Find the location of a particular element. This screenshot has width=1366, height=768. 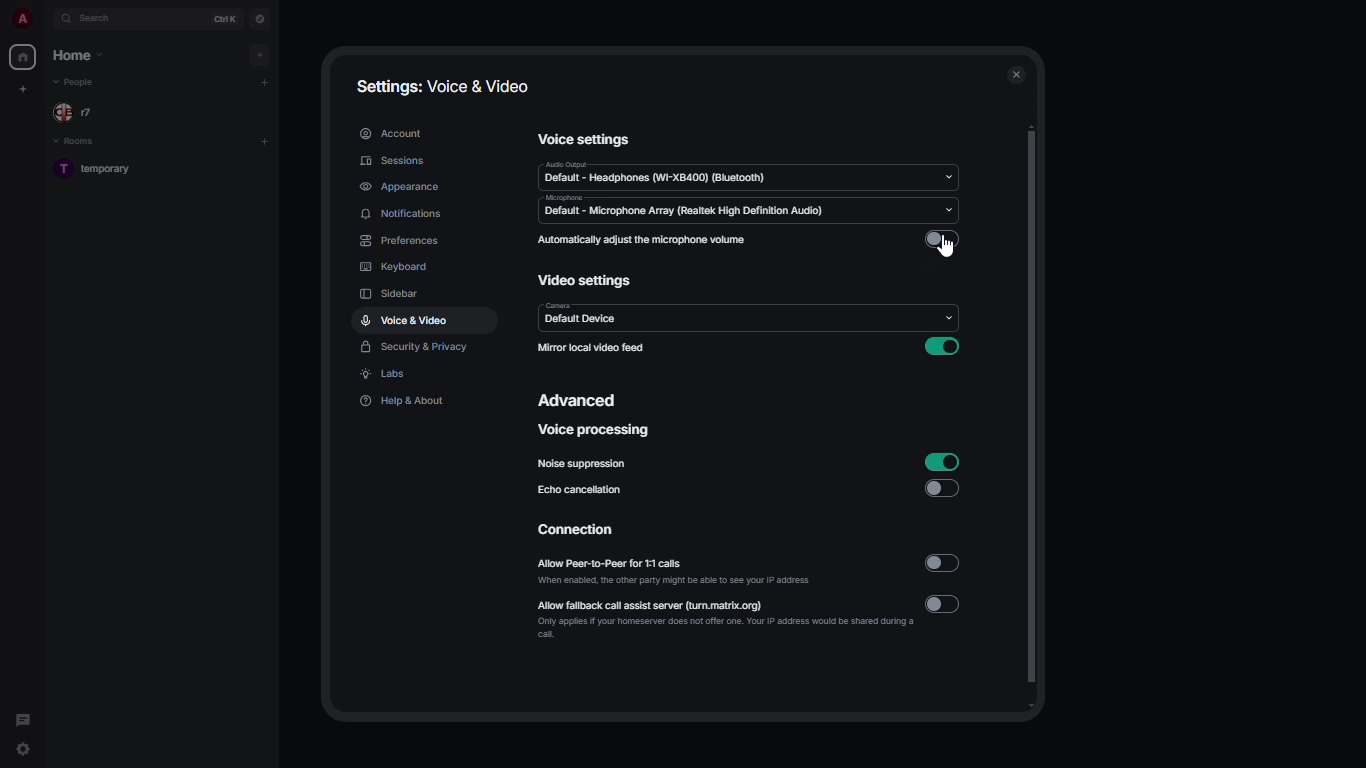

automatically adjust the microphone volume is located at coordinates (646, 239).